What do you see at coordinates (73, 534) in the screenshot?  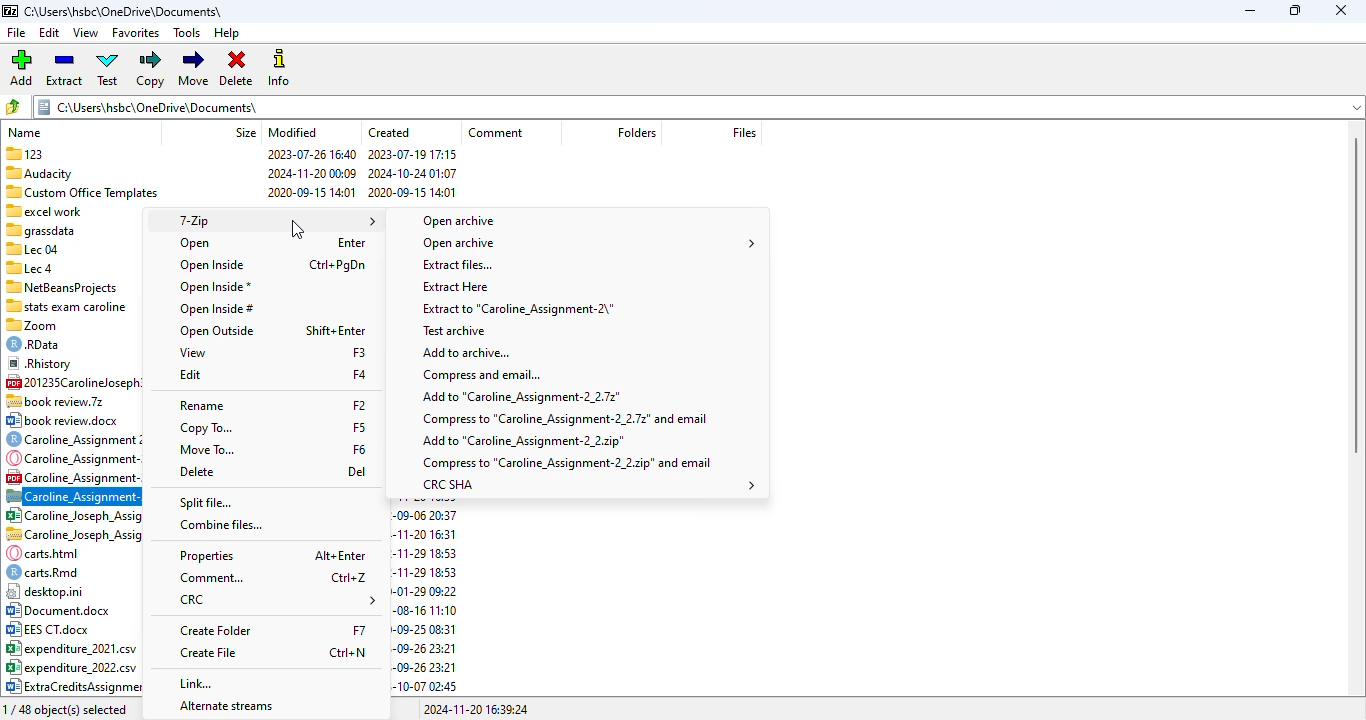 I see `~~. Caroline Joseph Assign... 92731 2024-11-20 16:31 2024-11-20 16:31` at bounding box center [73, 534].